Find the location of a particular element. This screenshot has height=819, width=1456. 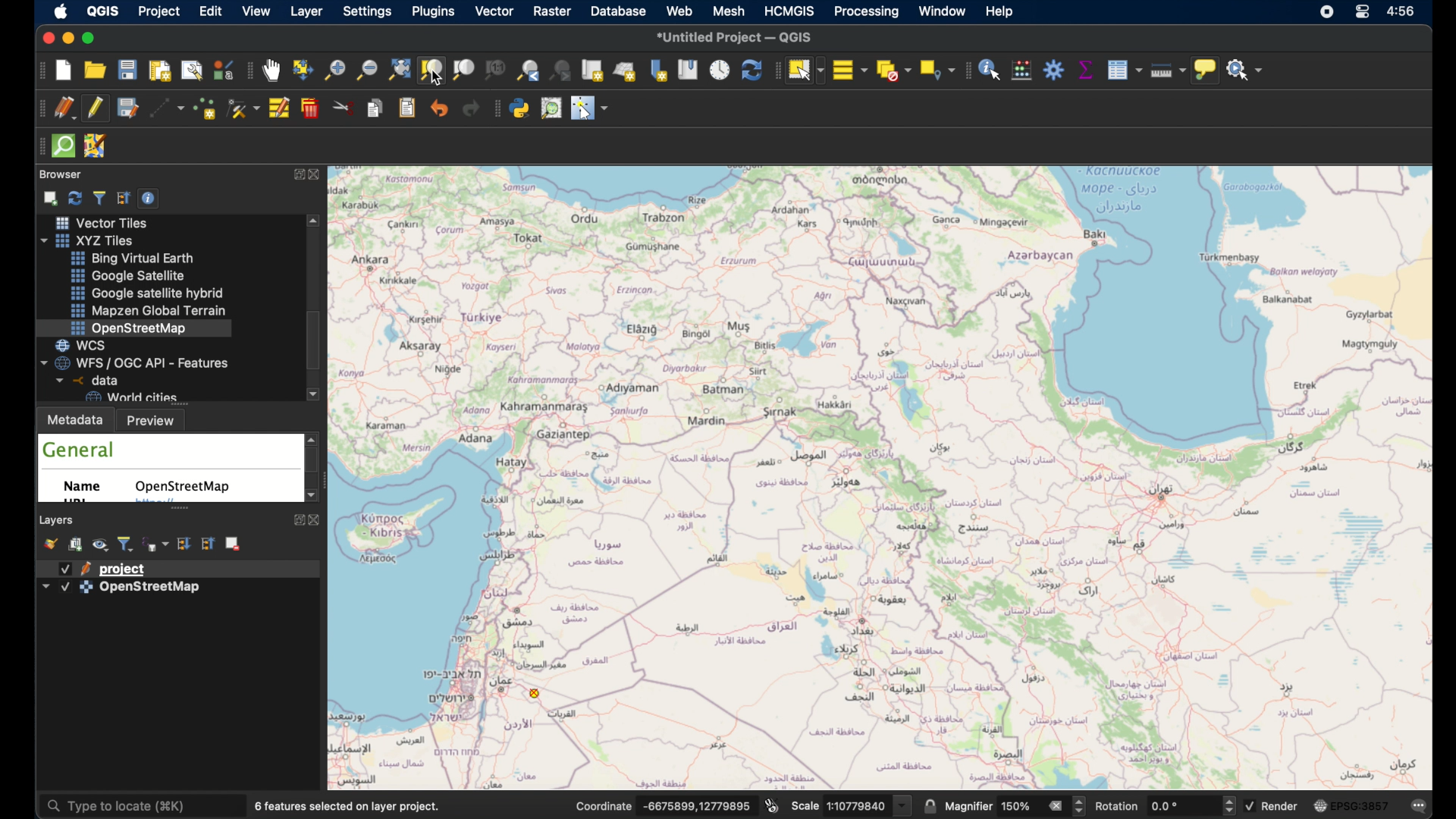

zoom to layer is located at coordinates (463, 71).